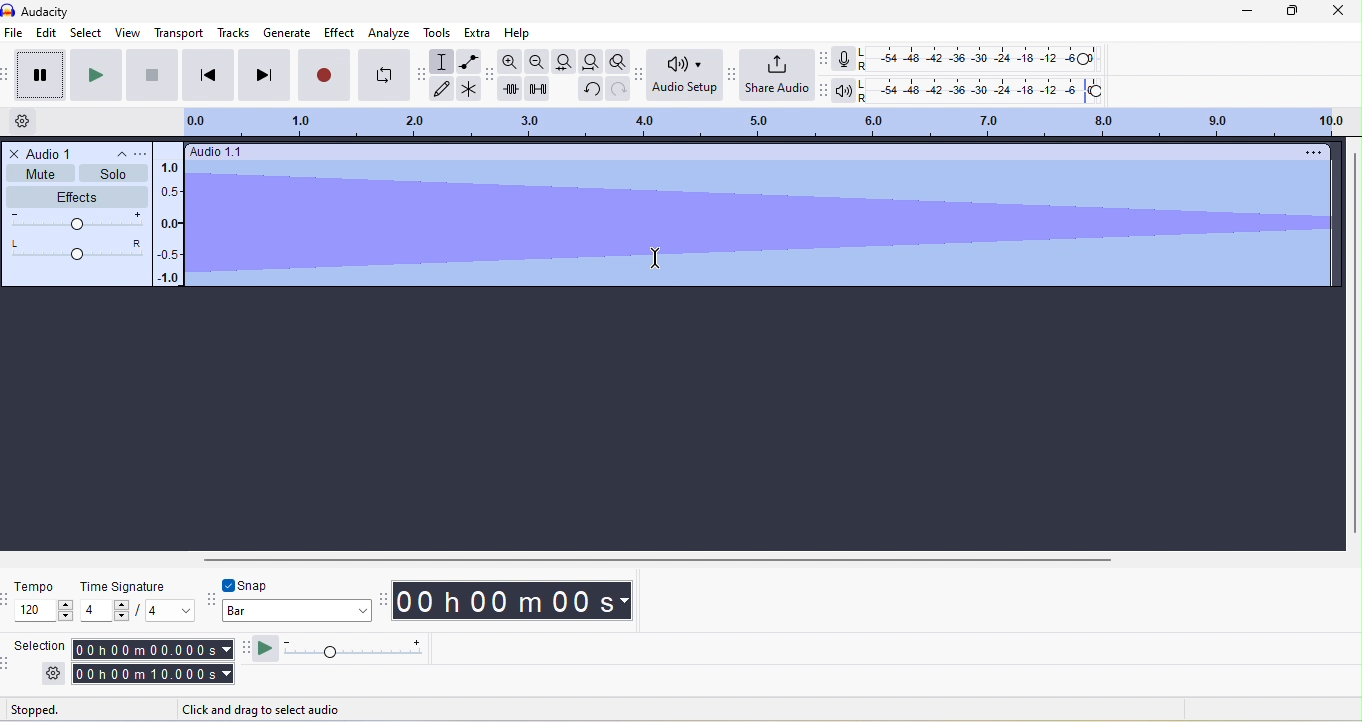 The image size is (1362, 722). What do you see at coordinates (758, 223) in the screenshot?
I see `pulse waveform generated using the "Chirp" generator` at bounding box center [758, 223].